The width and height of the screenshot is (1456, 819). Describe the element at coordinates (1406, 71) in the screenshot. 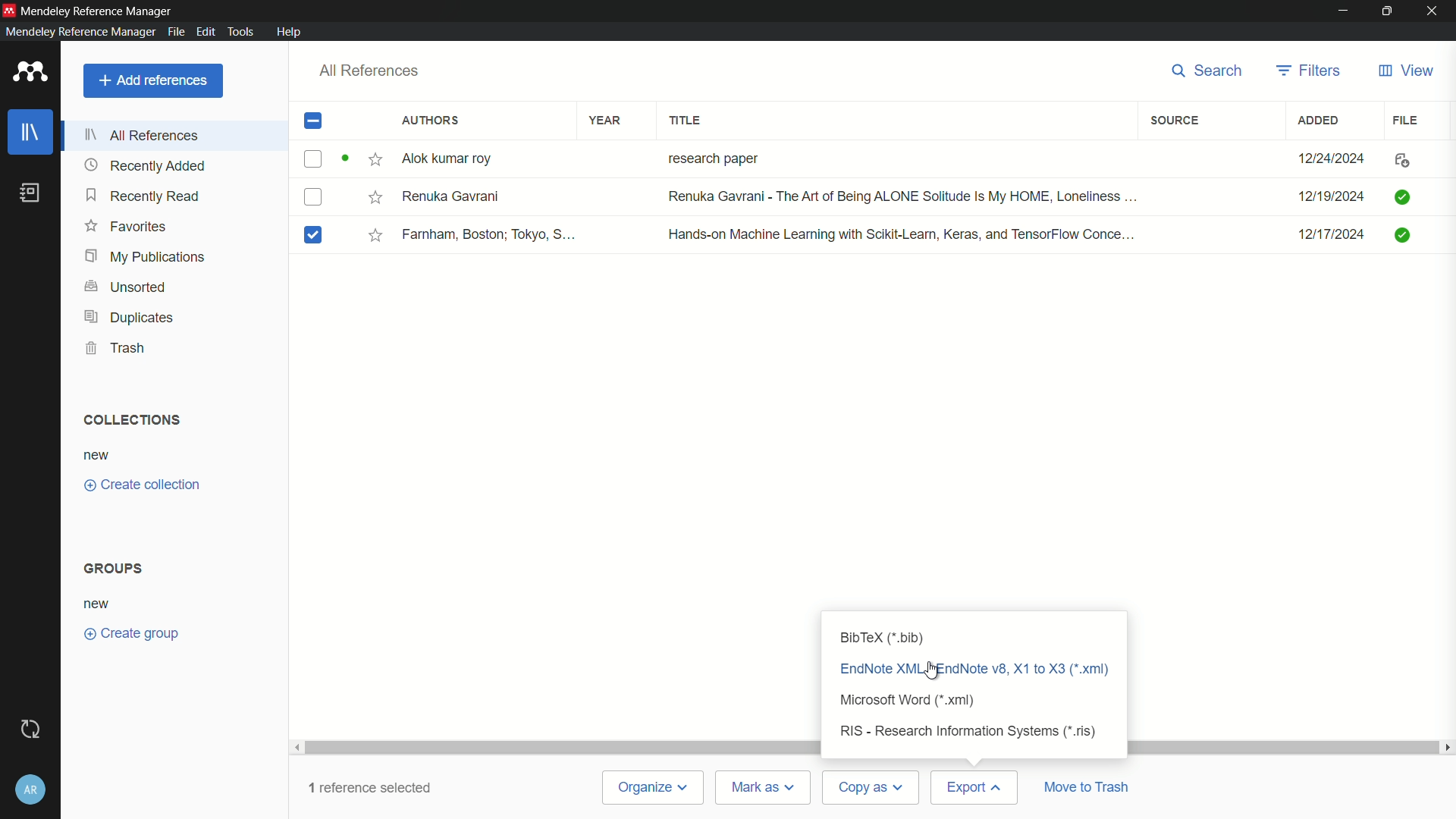

I see `view` at that location.